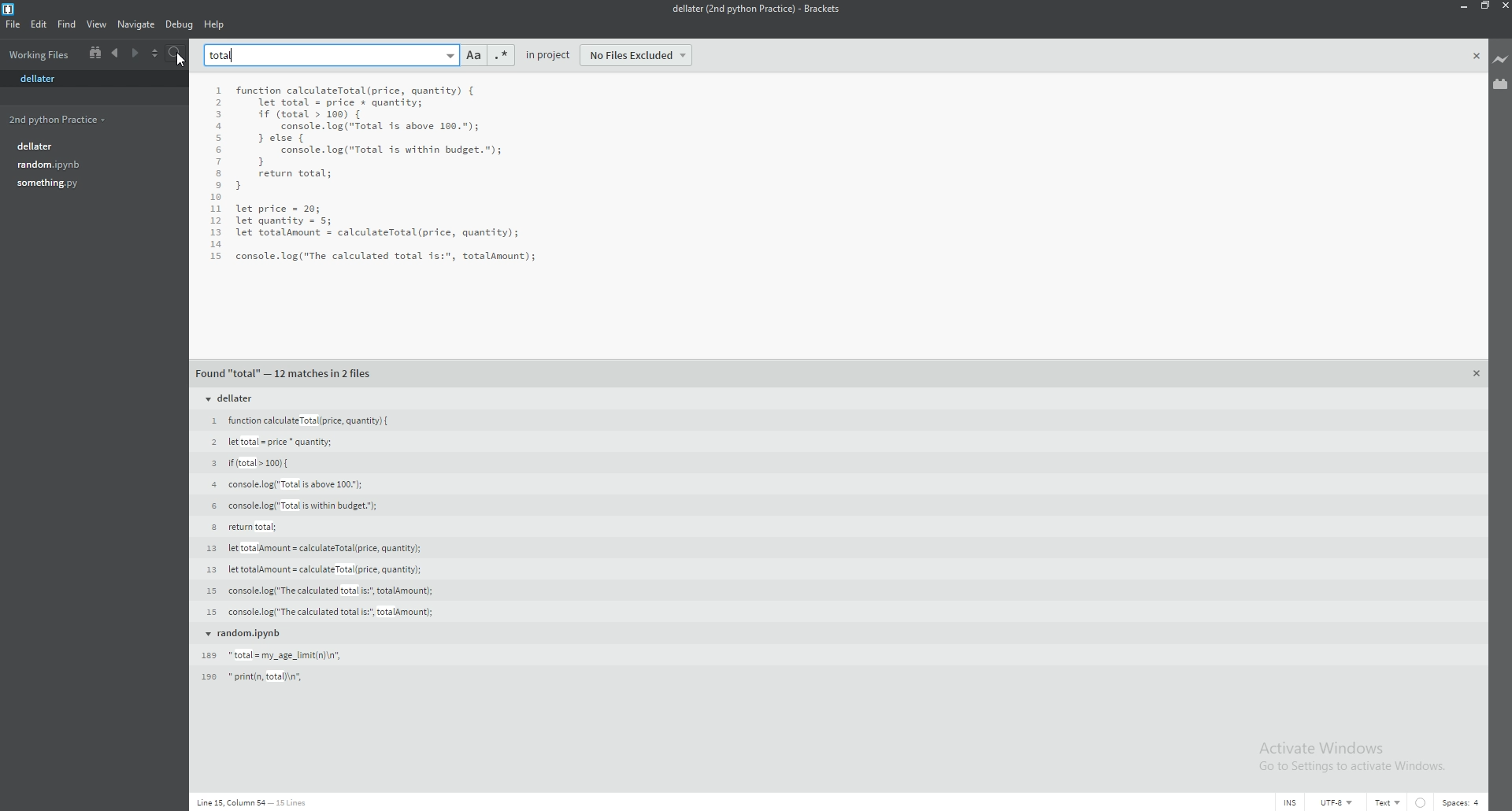 The height and width of the screenshot is (811, 1512). I want to click on working files, so click(39, 54).